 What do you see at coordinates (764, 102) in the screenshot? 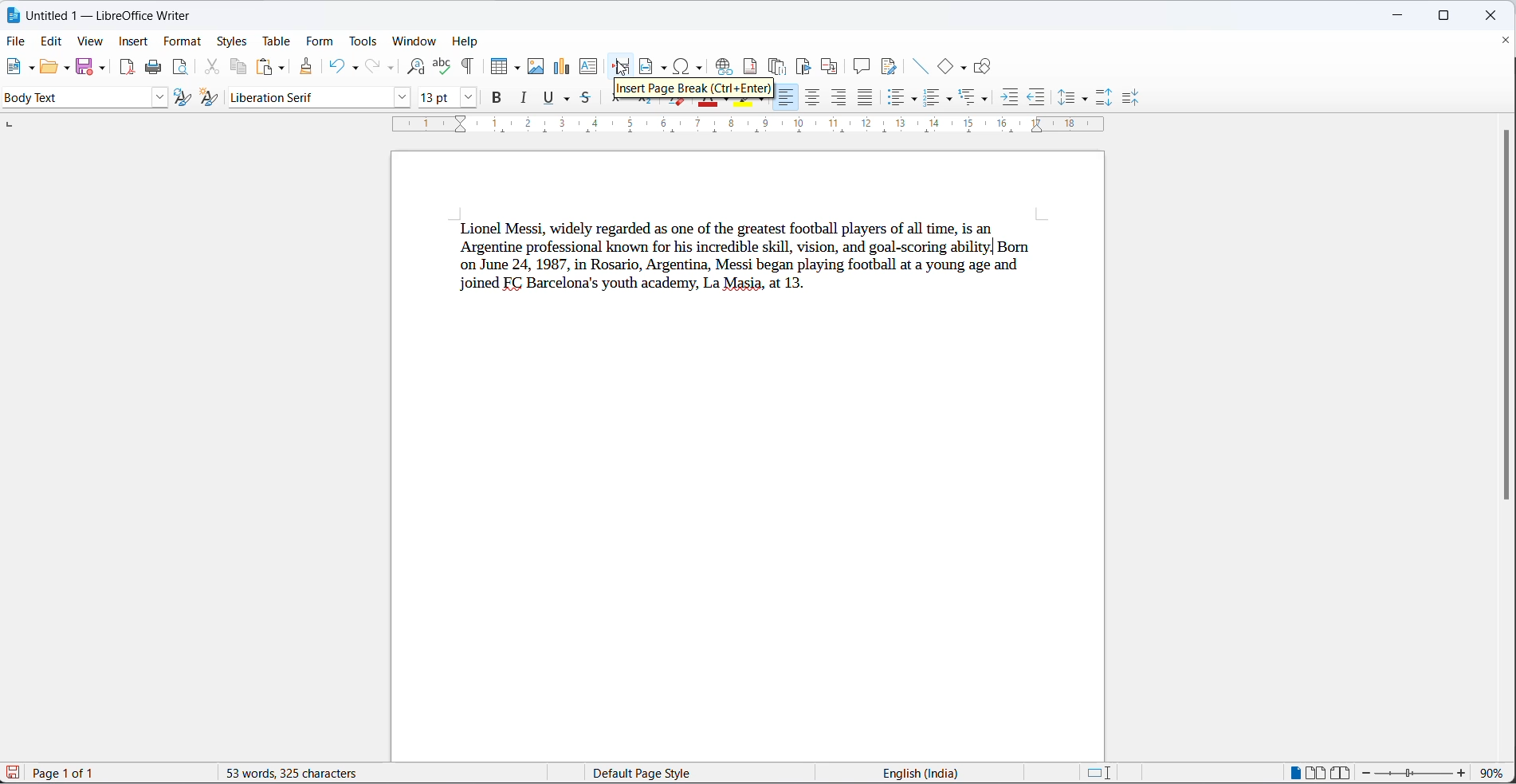
I see `character highlighting` at bounding box center [764, 102].